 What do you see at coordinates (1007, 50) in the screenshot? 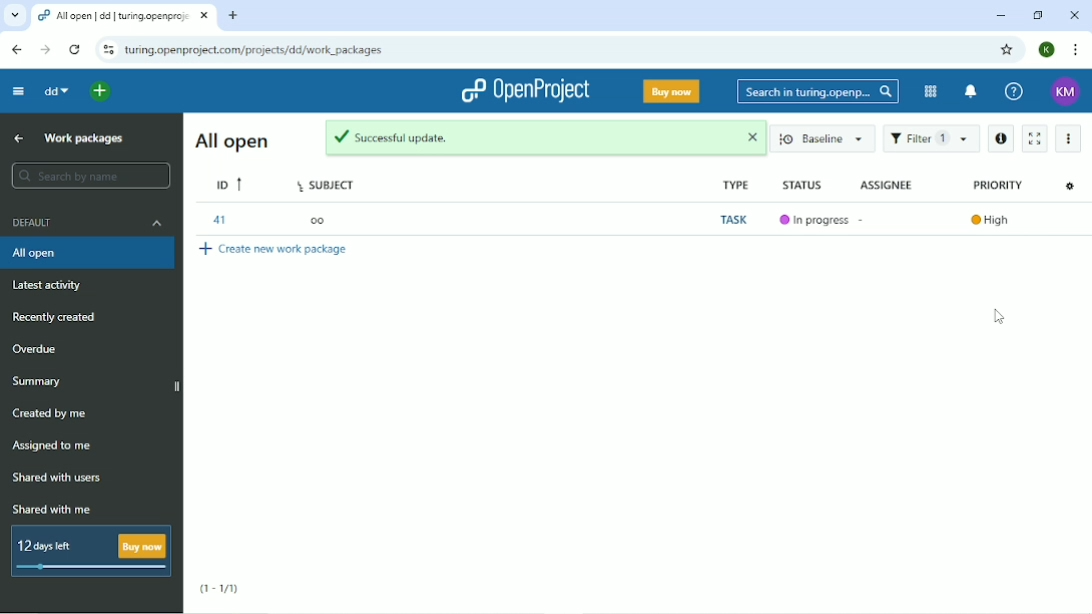
I see `Bookmark this tab` at bounding box center [1007, 50].